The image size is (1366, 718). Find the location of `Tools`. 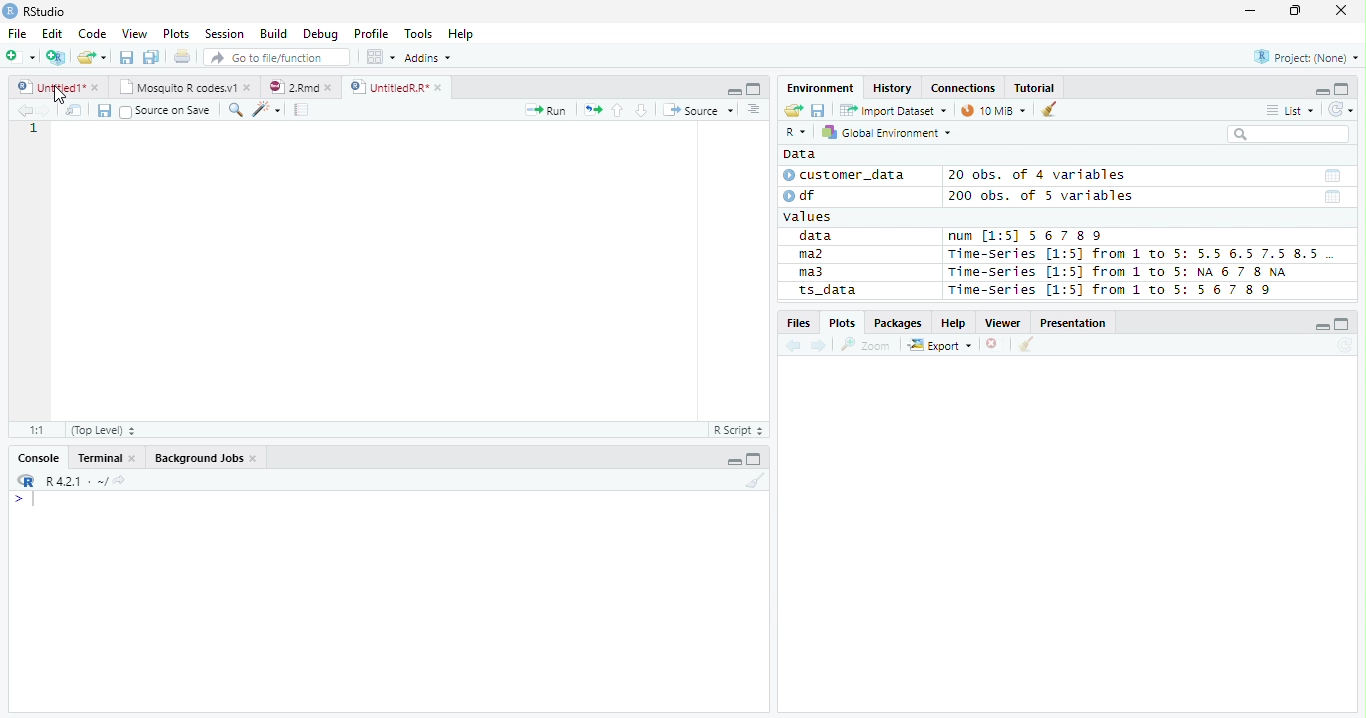

Tools is located at coordinates (422, 32).